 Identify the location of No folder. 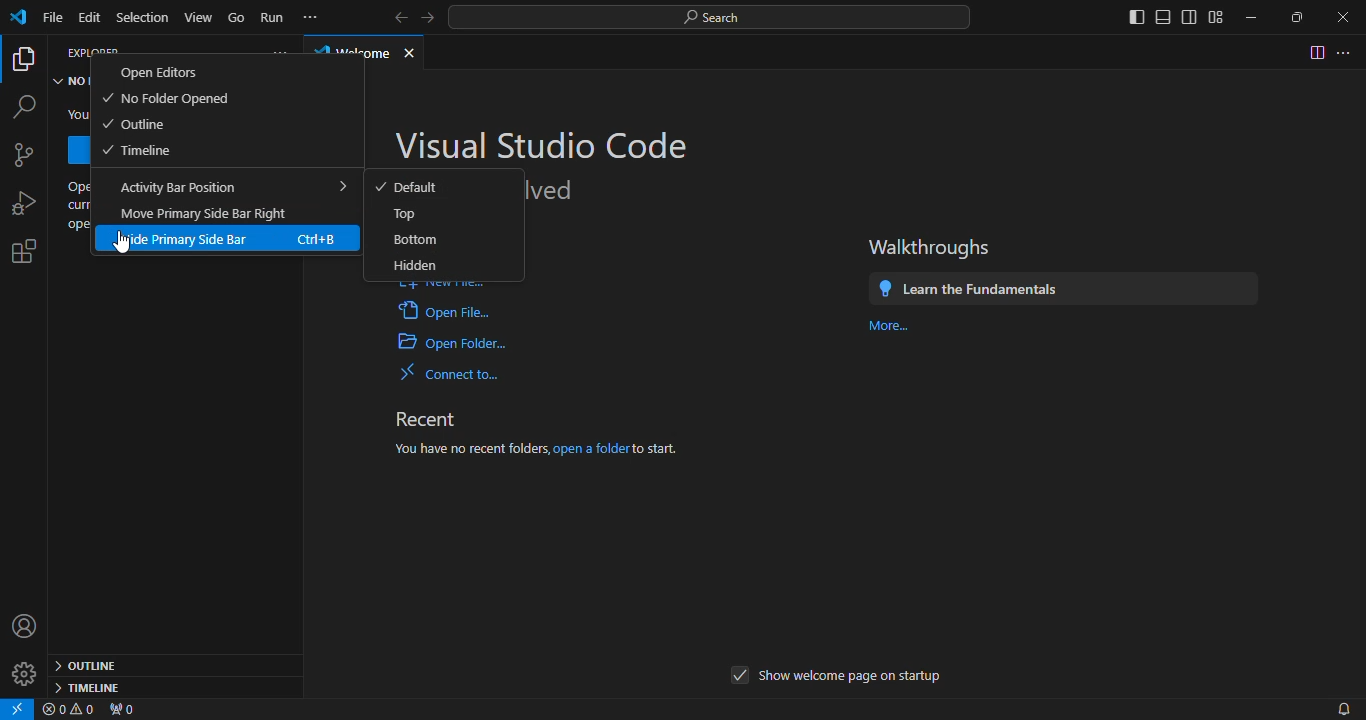
(72, 83).